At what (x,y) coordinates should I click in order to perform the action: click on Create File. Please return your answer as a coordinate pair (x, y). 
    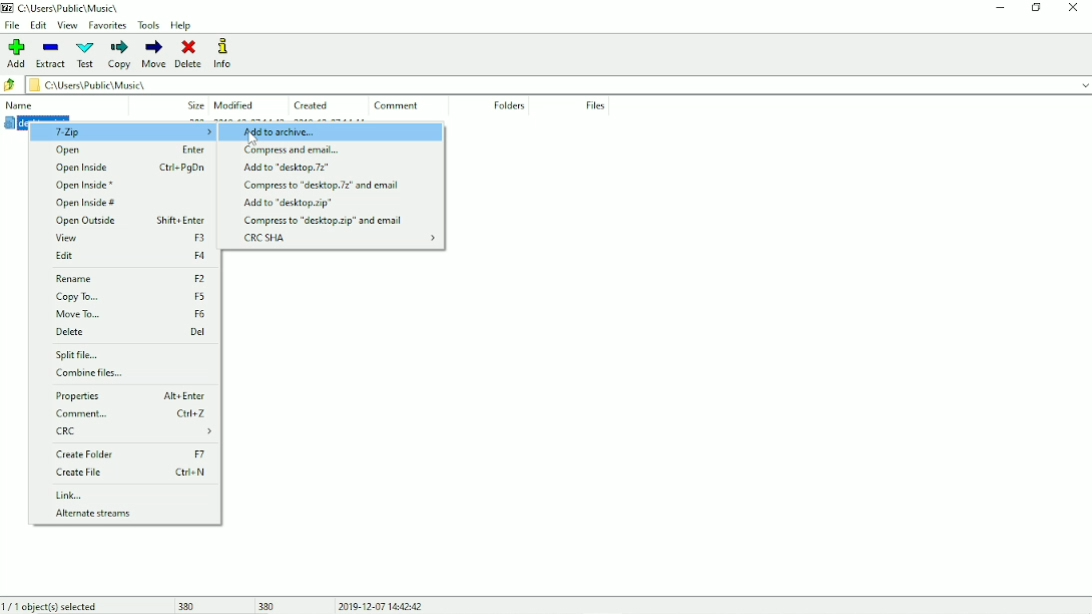
    Looking at the image, I should click on (129, 472).